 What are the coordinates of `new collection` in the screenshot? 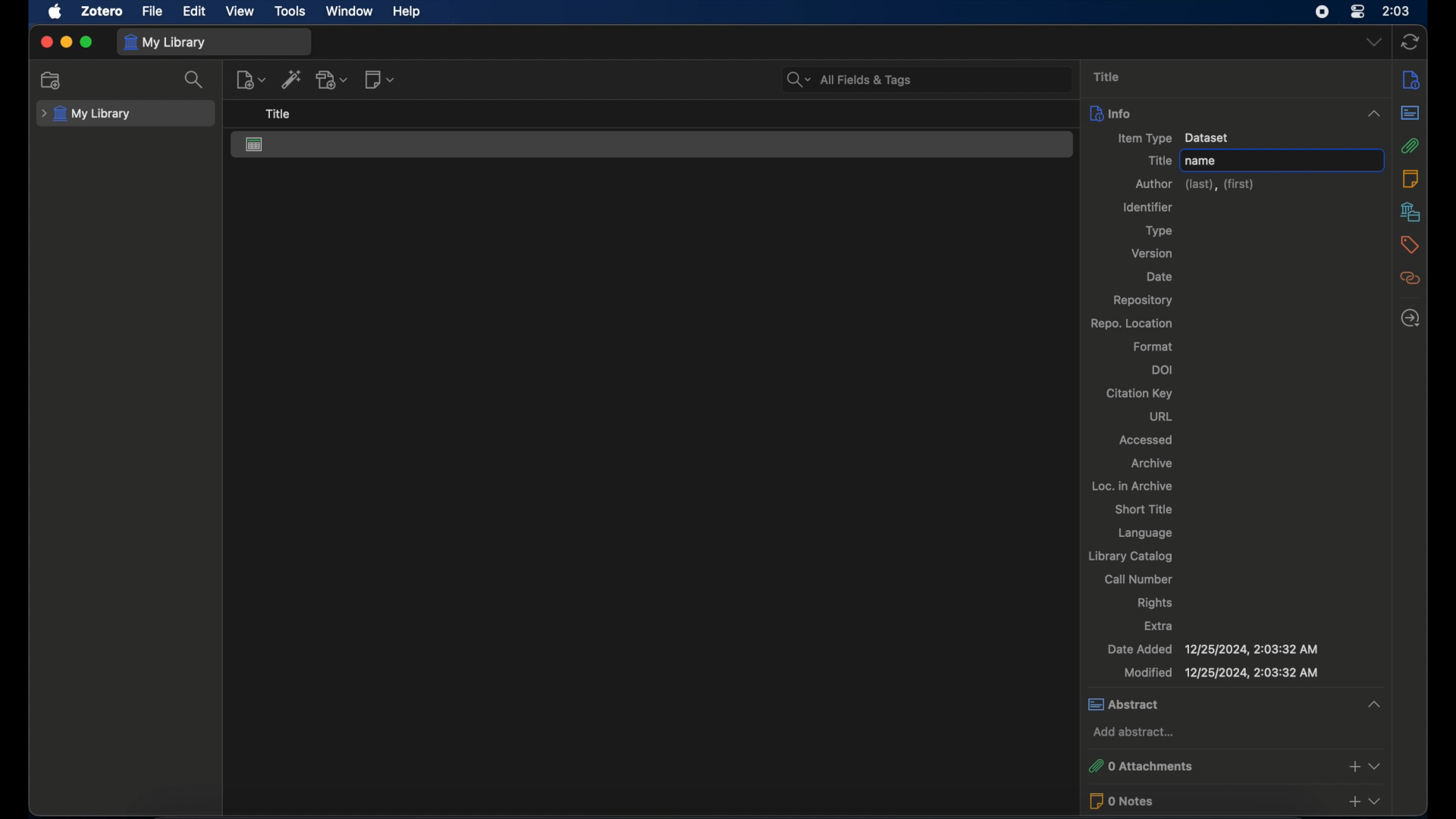 It's located at (52, 81).